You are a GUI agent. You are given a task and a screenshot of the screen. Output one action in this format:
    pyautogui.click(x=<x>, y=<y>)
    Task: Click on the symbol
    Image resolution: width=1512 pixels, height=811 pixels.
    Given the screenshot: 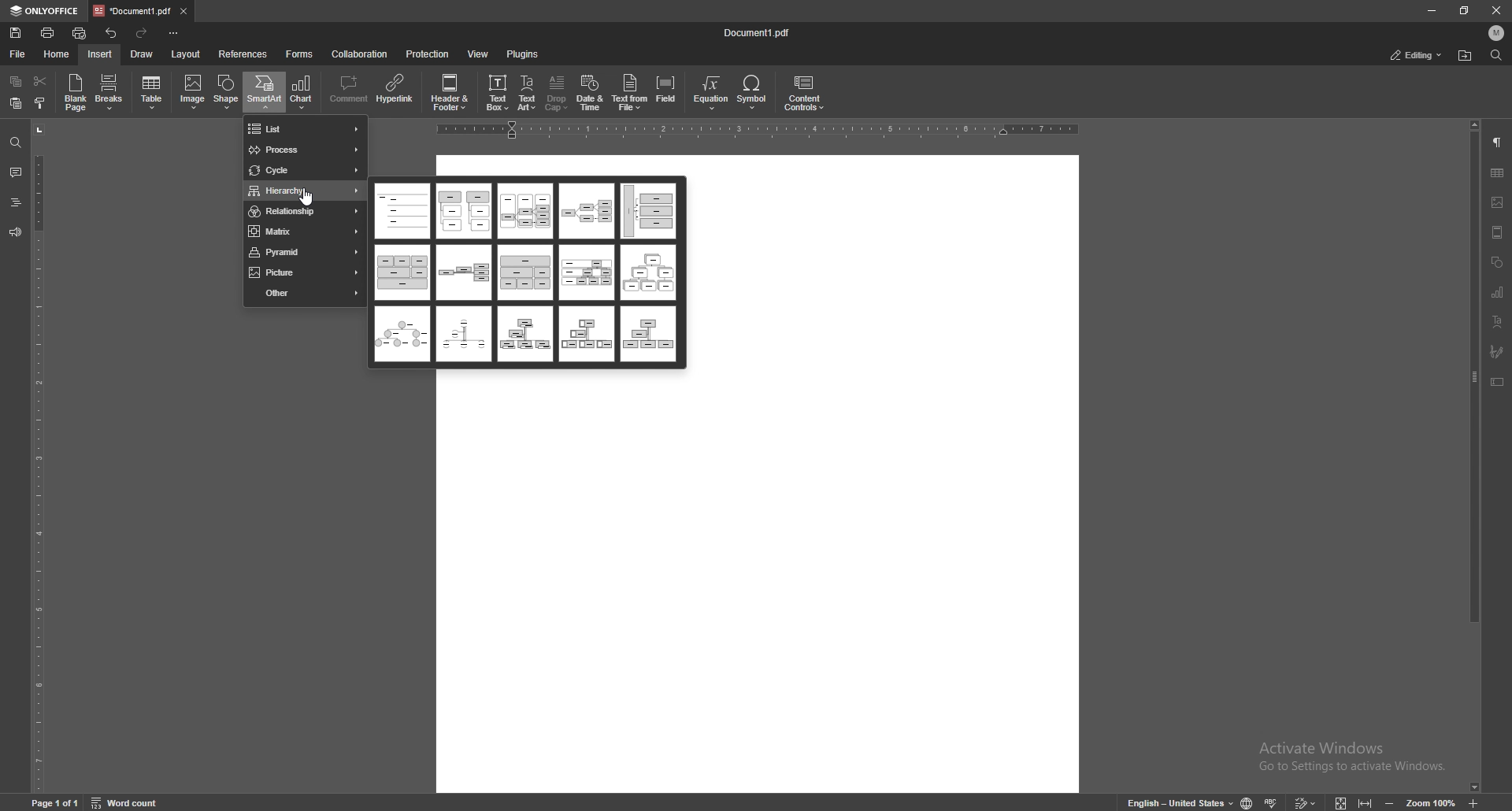 What is the action you would take?
    pyautogui.click(x=754, y=92)
    